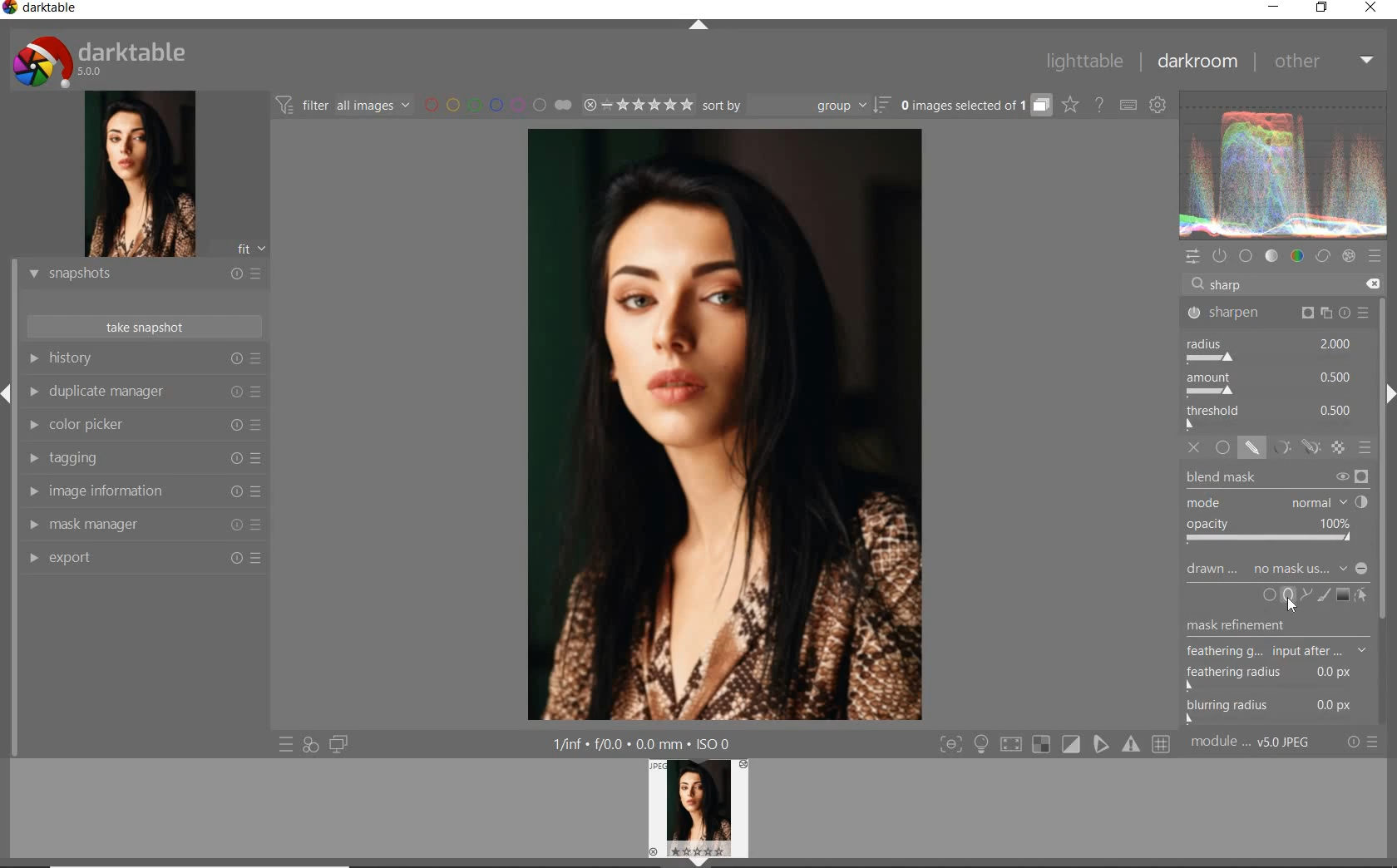  I want to click on range ratings for selected images, so click(623, 106).